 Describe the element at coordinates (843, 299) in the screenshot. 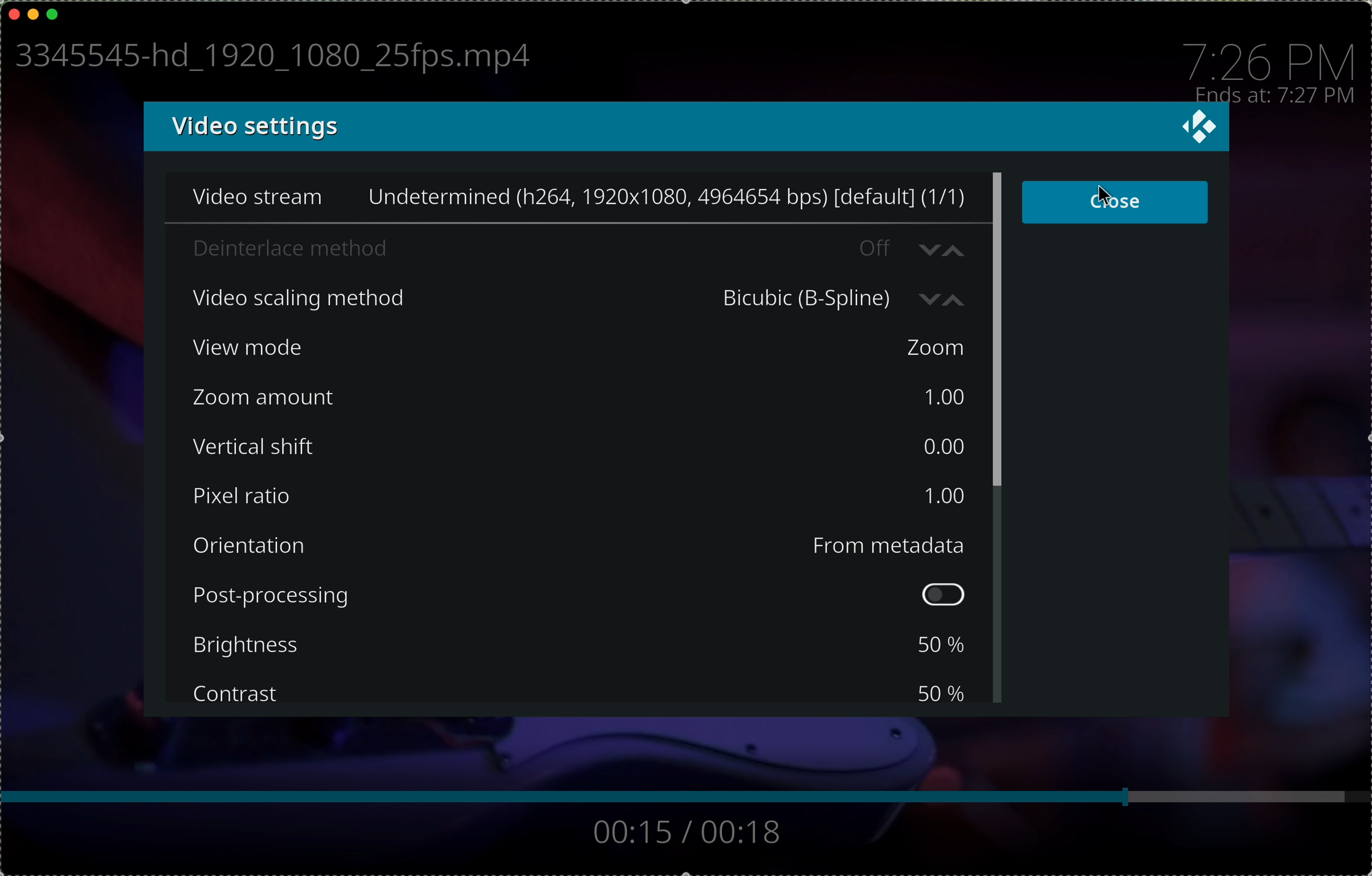

I see `Bicubic (B-Spline)` at that location.